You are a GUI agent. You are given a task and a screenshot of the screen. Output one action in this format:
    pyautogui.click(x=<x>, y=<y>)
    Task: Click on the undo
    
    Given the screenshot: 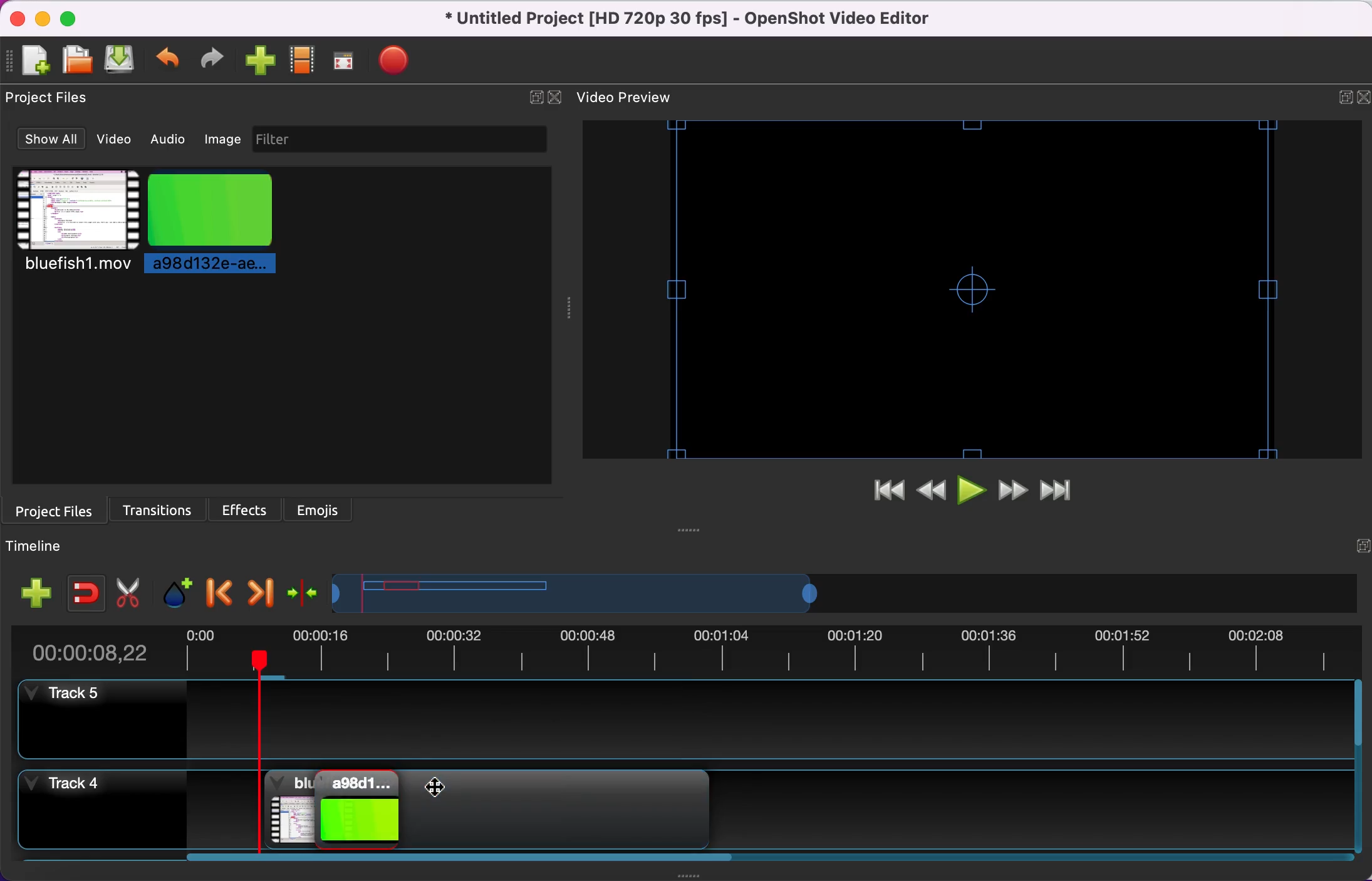 What is the action you would take?
    pyautogui.click(x=165, y=60)
    